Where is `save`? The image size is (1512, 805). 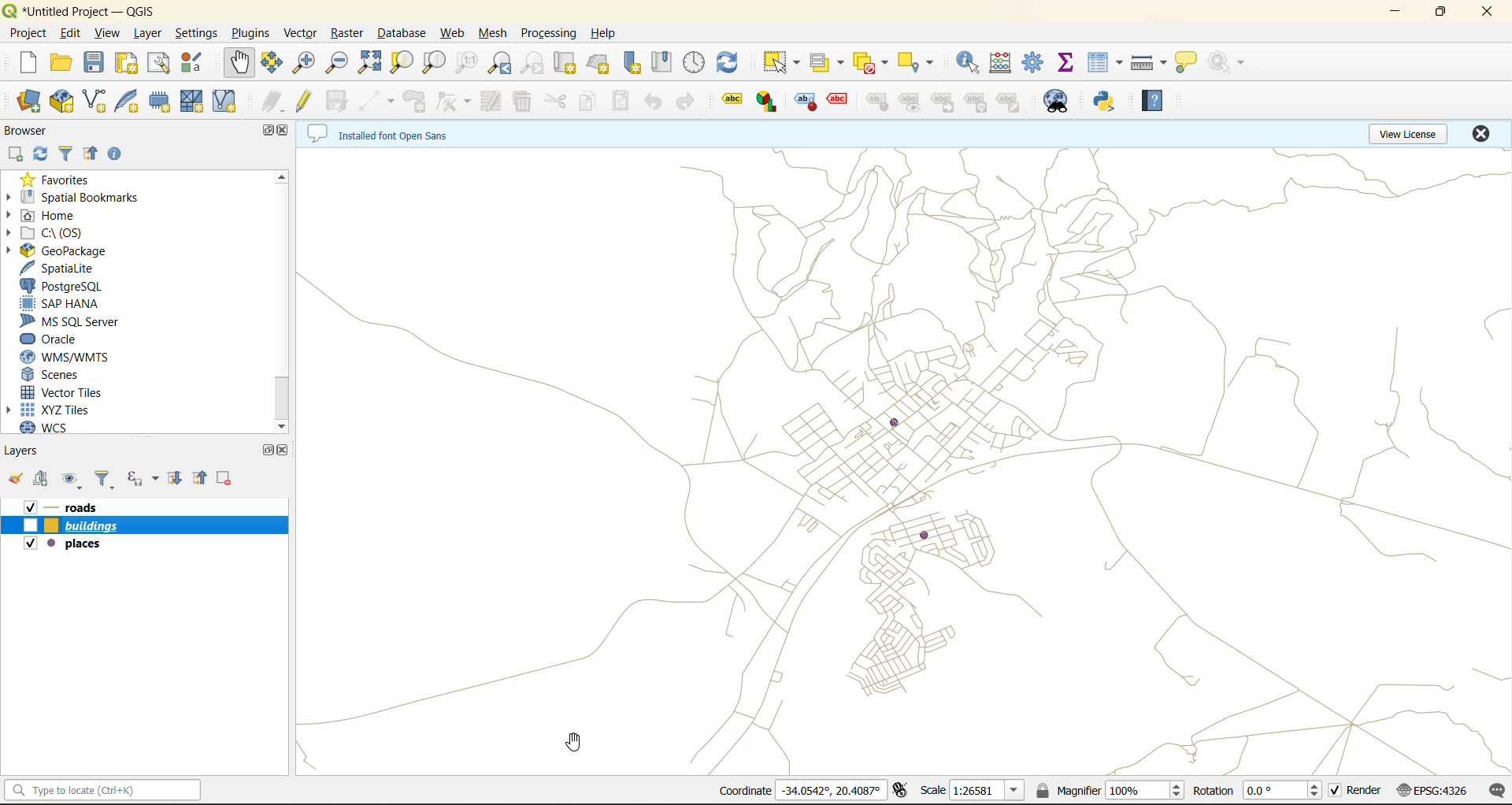
save is located at coordinates (95, 62).